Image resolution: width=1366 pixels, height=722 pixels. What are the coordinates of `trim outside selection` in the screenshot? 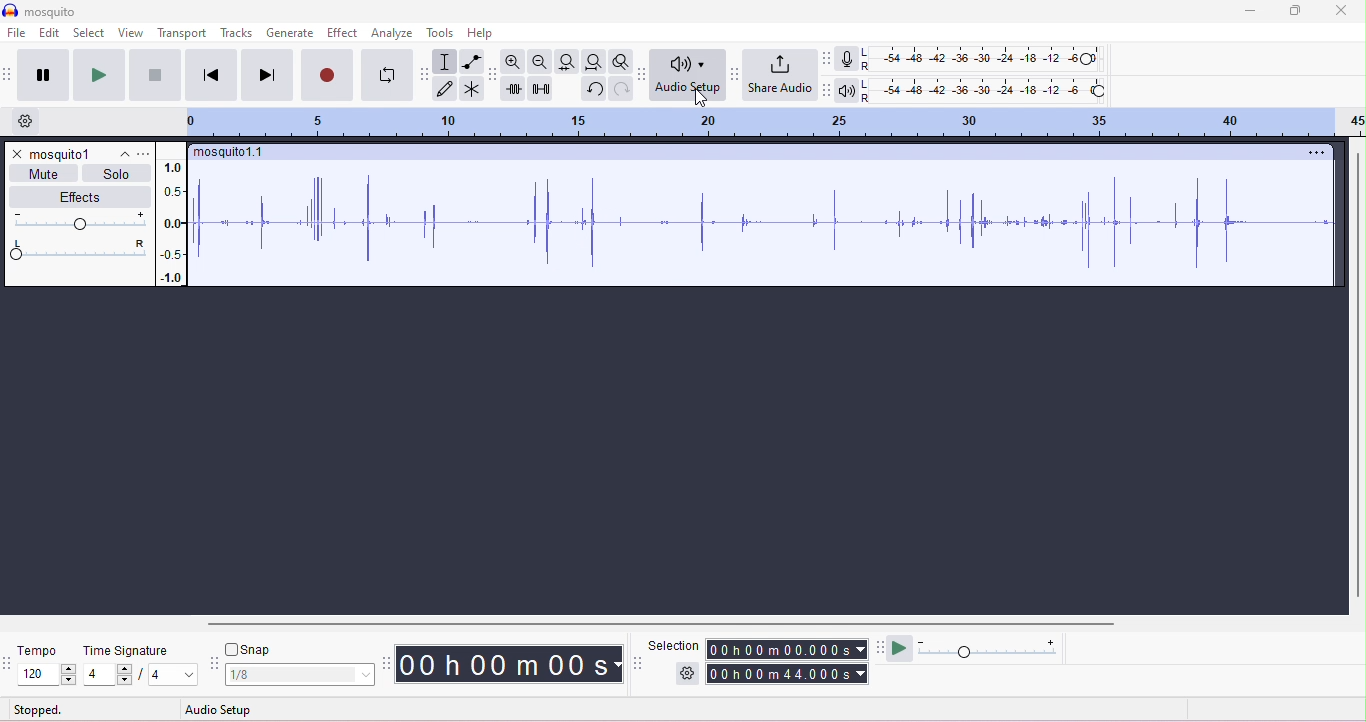 It's located at (515, 89).